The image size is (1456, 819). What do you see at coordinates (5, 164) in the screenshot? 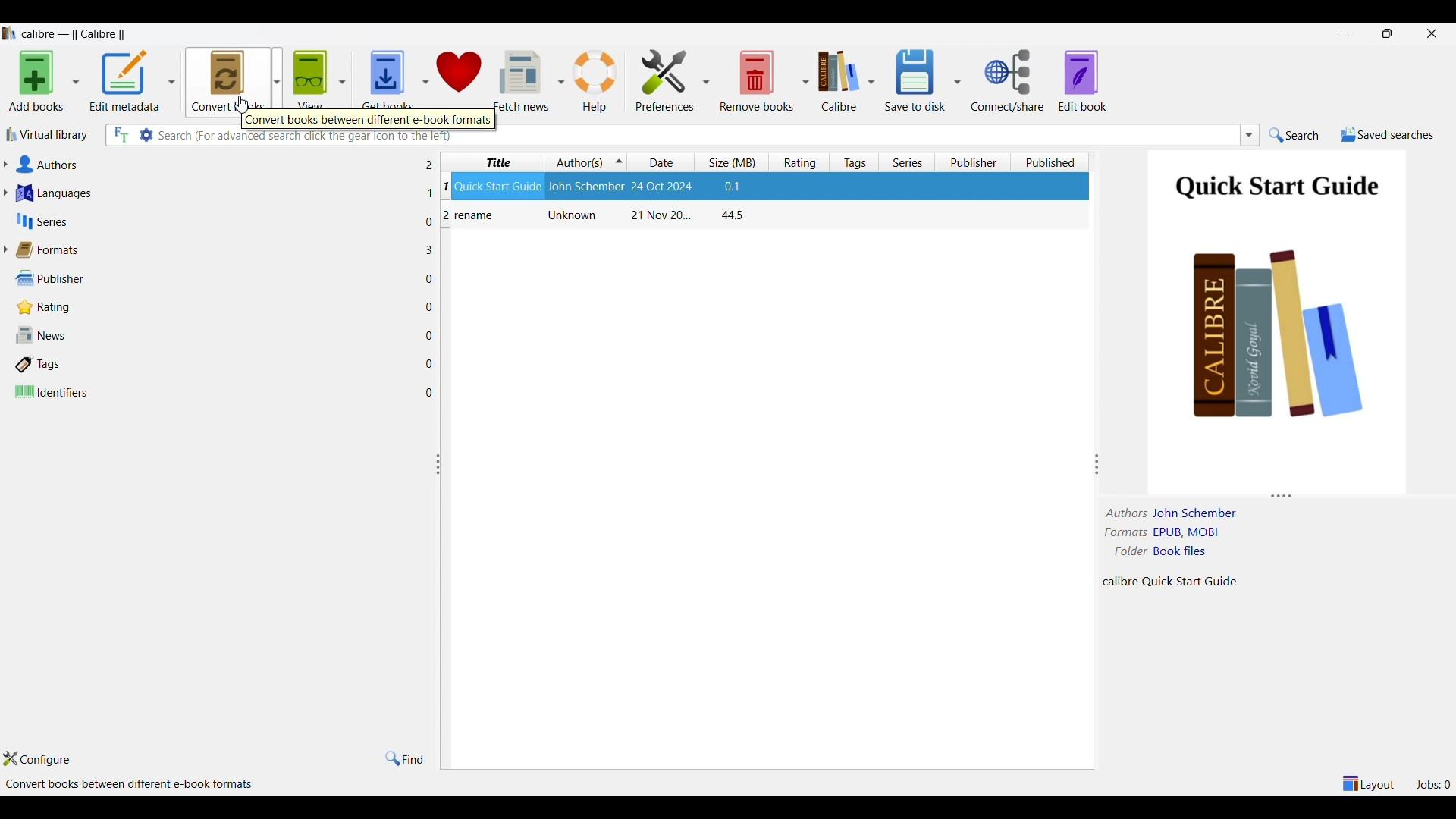
I see `Expand authors` at bounding box center [5, 164].